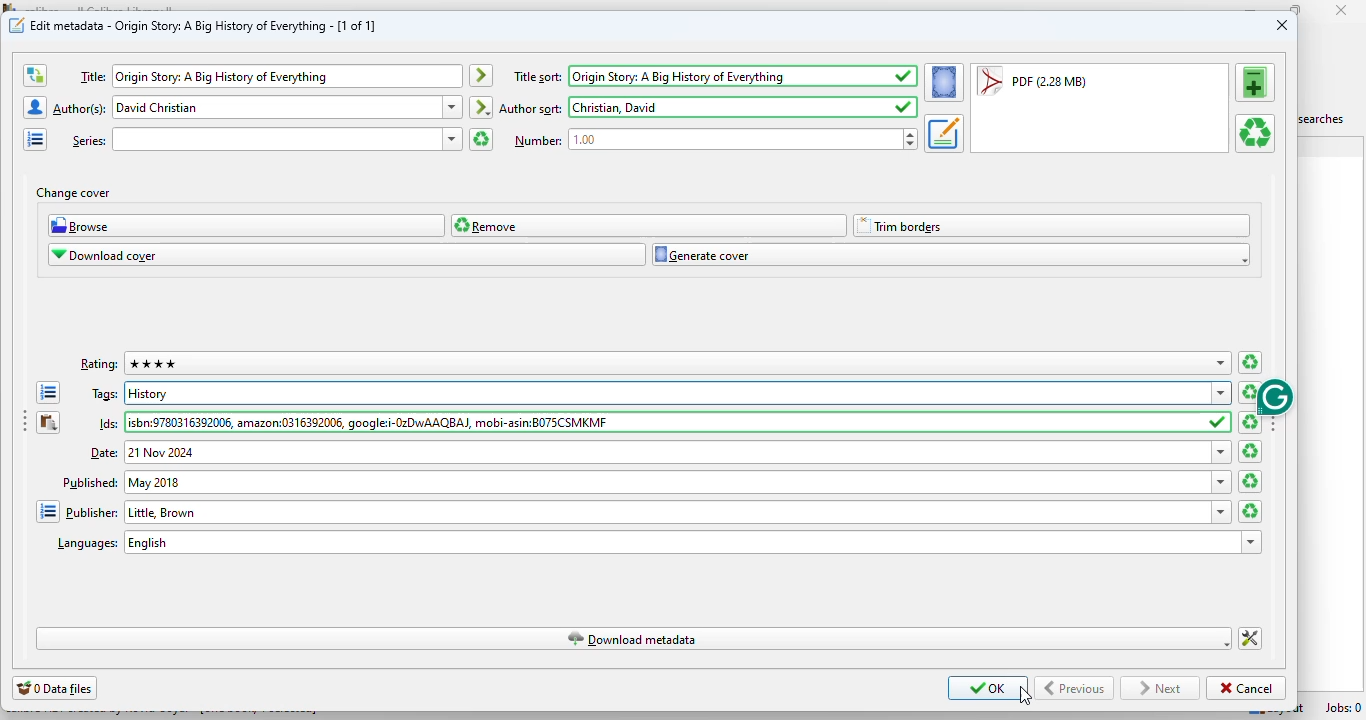 The image size is (1366, 720). What do you see at coordinates (1274, 420) in the screenshot?
I see `toggle sidebar` at bounding box center [1274, 420].